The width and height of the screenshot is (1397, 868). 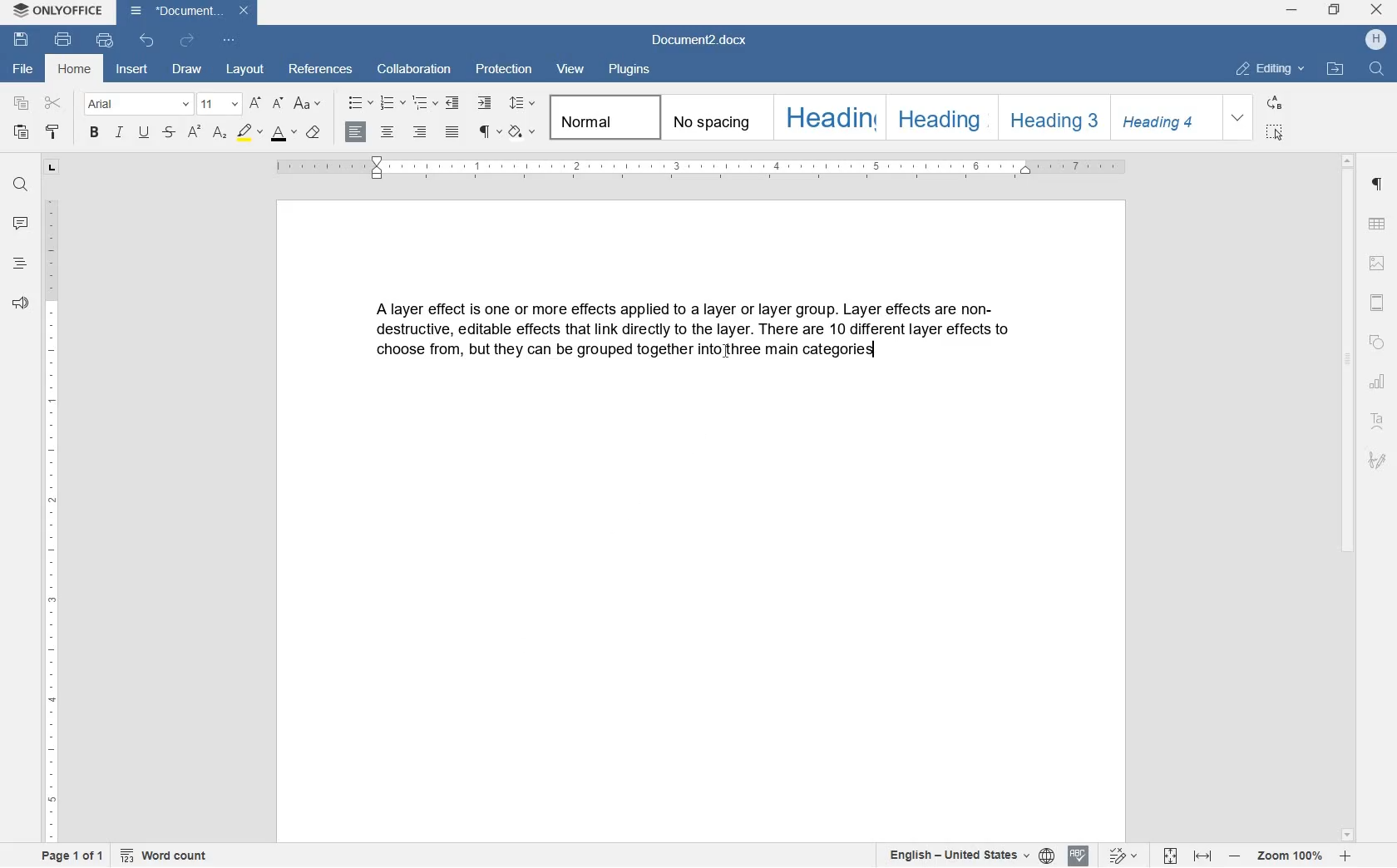 What do you see at coordinates (1376, 9) in the screenshot?
I see `close` at bounding box center [1376, 9].